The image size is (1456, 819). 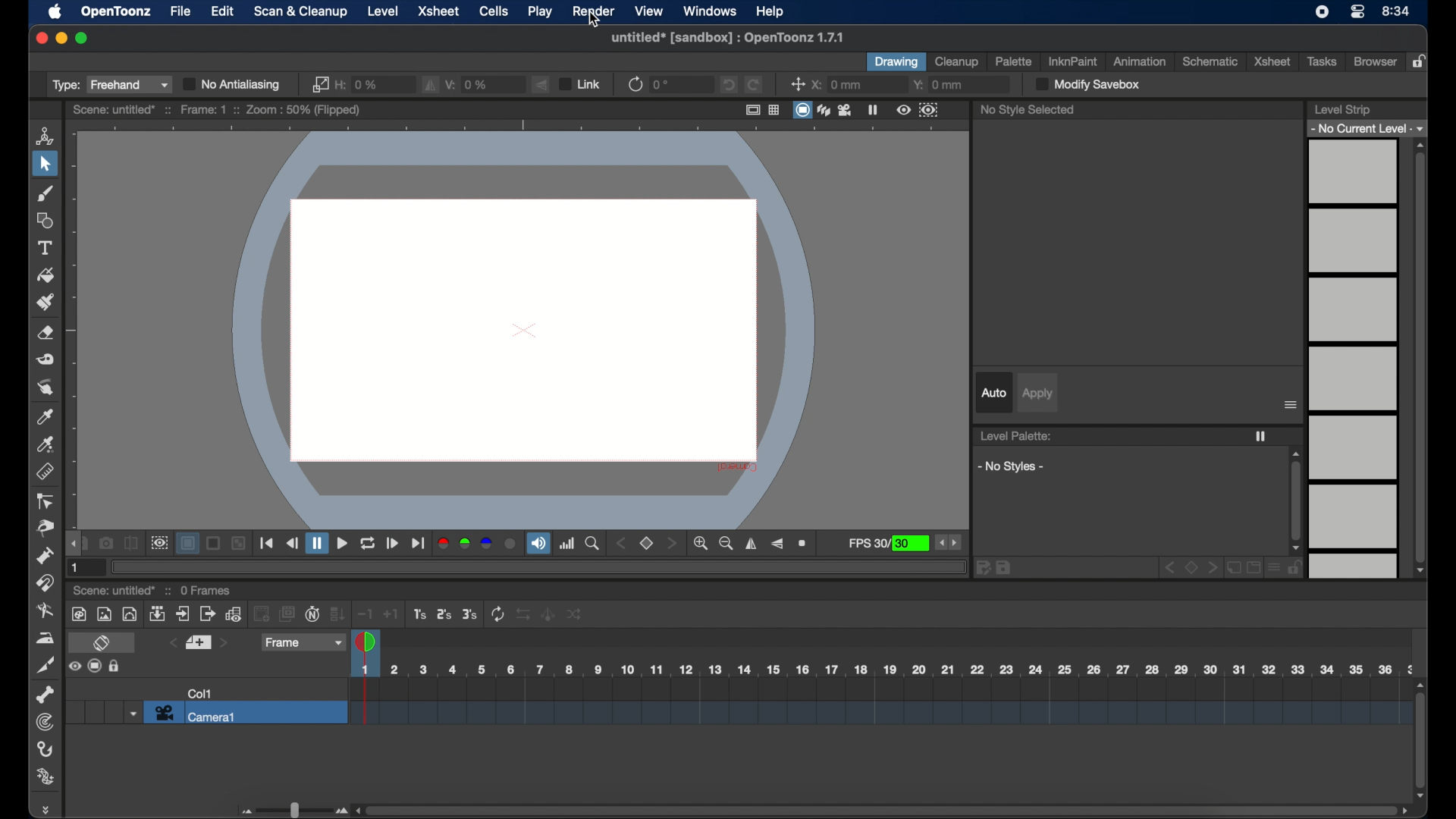 What do you see at coordinates (45, 638) in the screenshot?
I see `iron tool` at bounding box center [45, 638].